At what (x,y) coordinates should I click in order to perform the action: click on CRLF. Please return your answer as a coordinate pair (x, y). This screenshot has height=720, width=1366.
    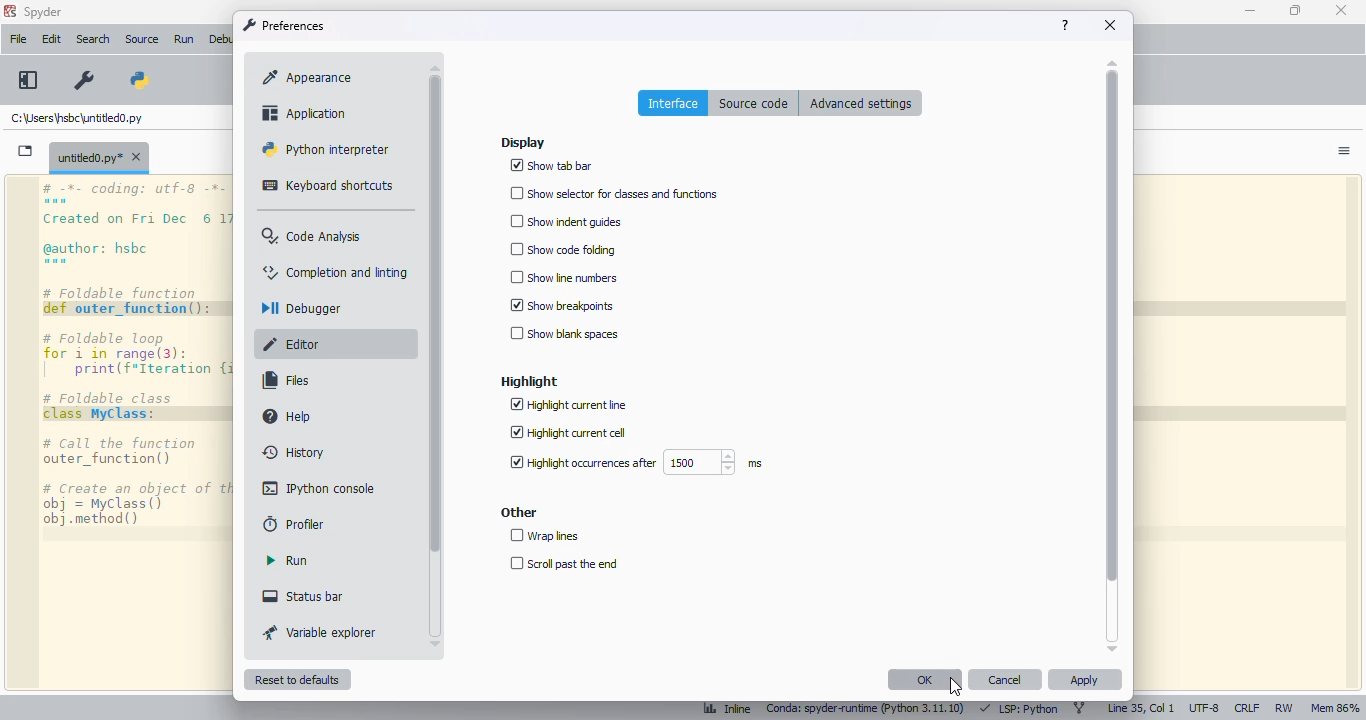
    Looking at the image, I should click on (1246, 707).